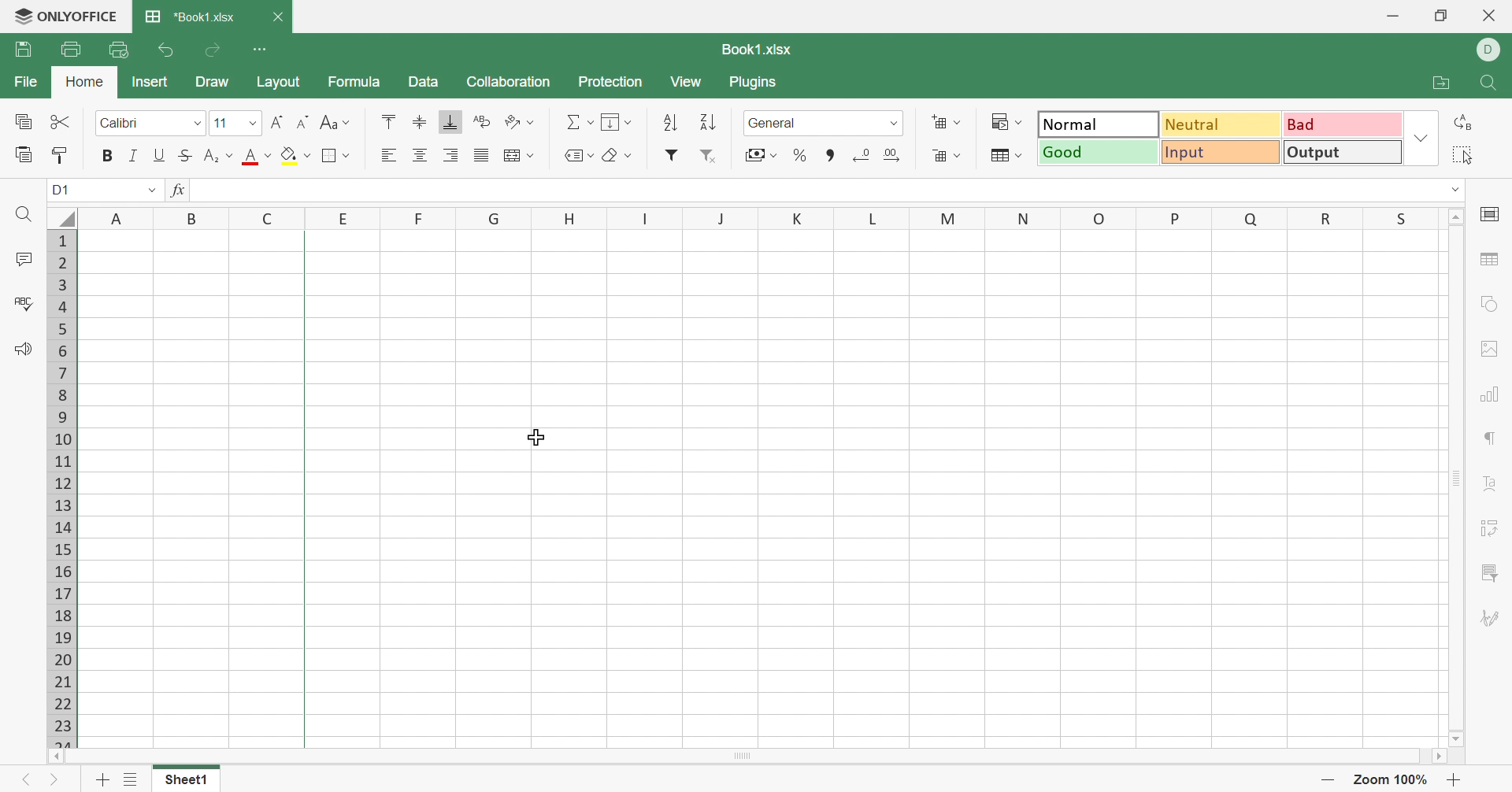 Image resolution: width=1512 pixels, height=792 pixels. What do you see at coordinates (709, 156) in the screenshot?
I see `Remove filter` at bounding box center [709, 156].